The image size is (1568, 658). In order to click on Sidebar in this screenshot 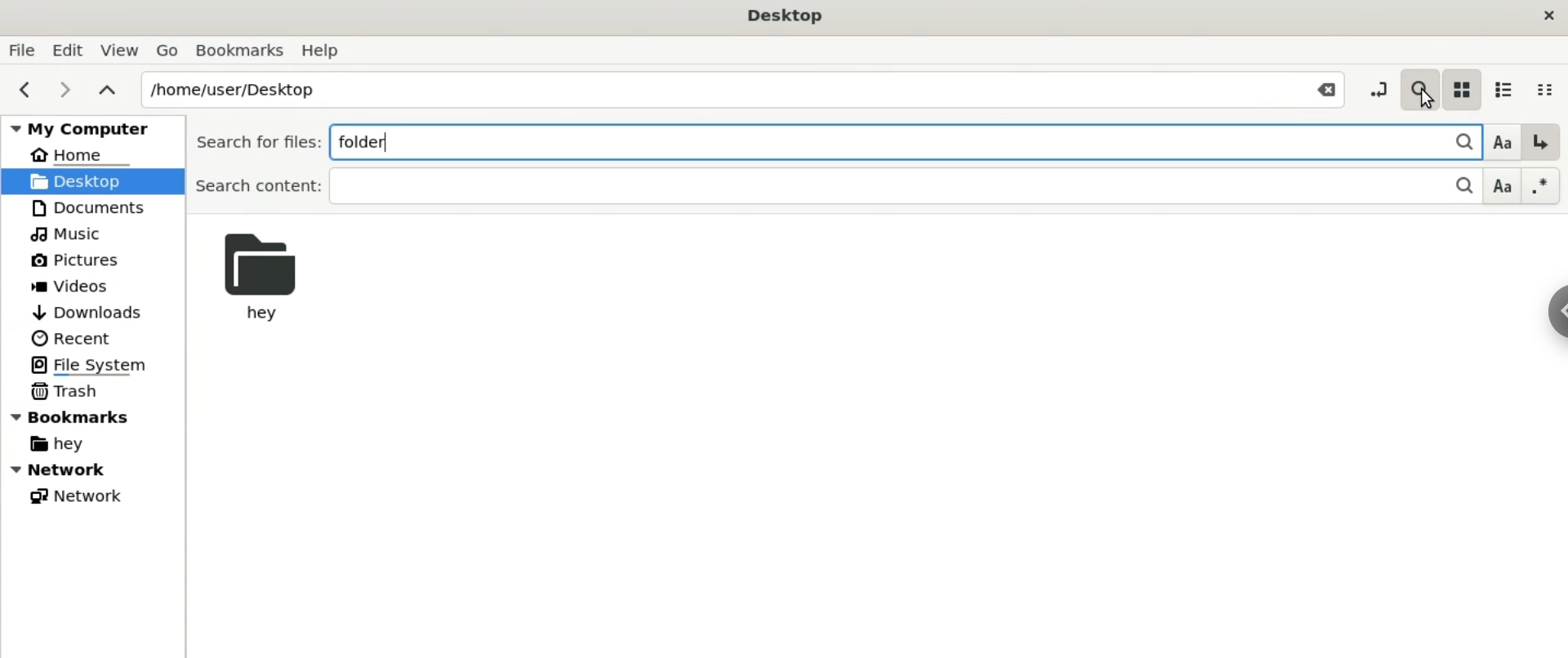, I will do `click(1548, 313)`.